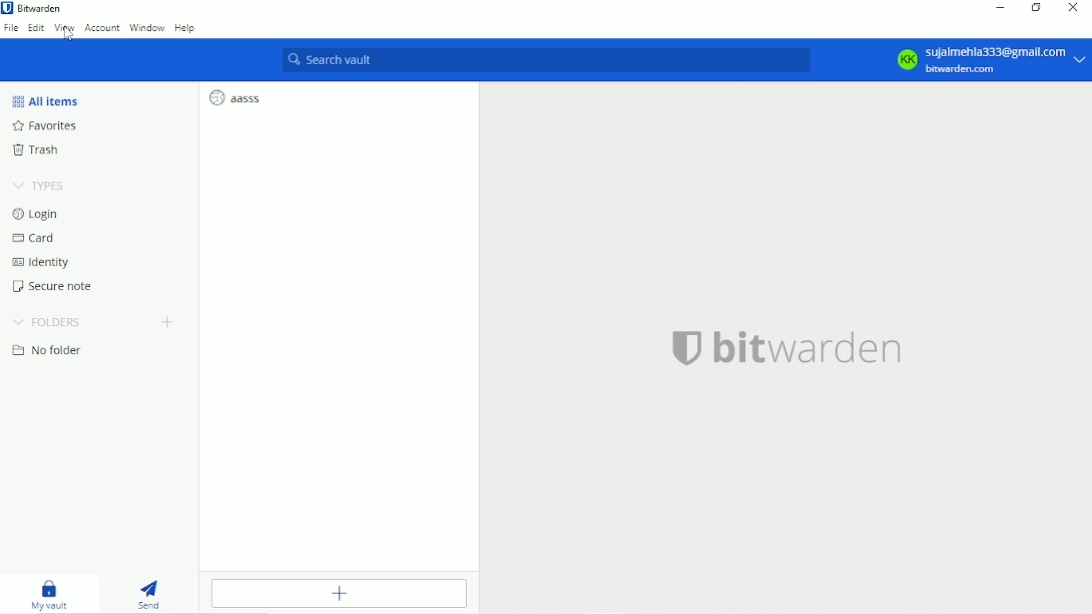 This screenshot has height=614, width=1092. What do you see at coordinates (36, 29) in the screenshot?
I see `Edit` at bounding box center [36, 29].